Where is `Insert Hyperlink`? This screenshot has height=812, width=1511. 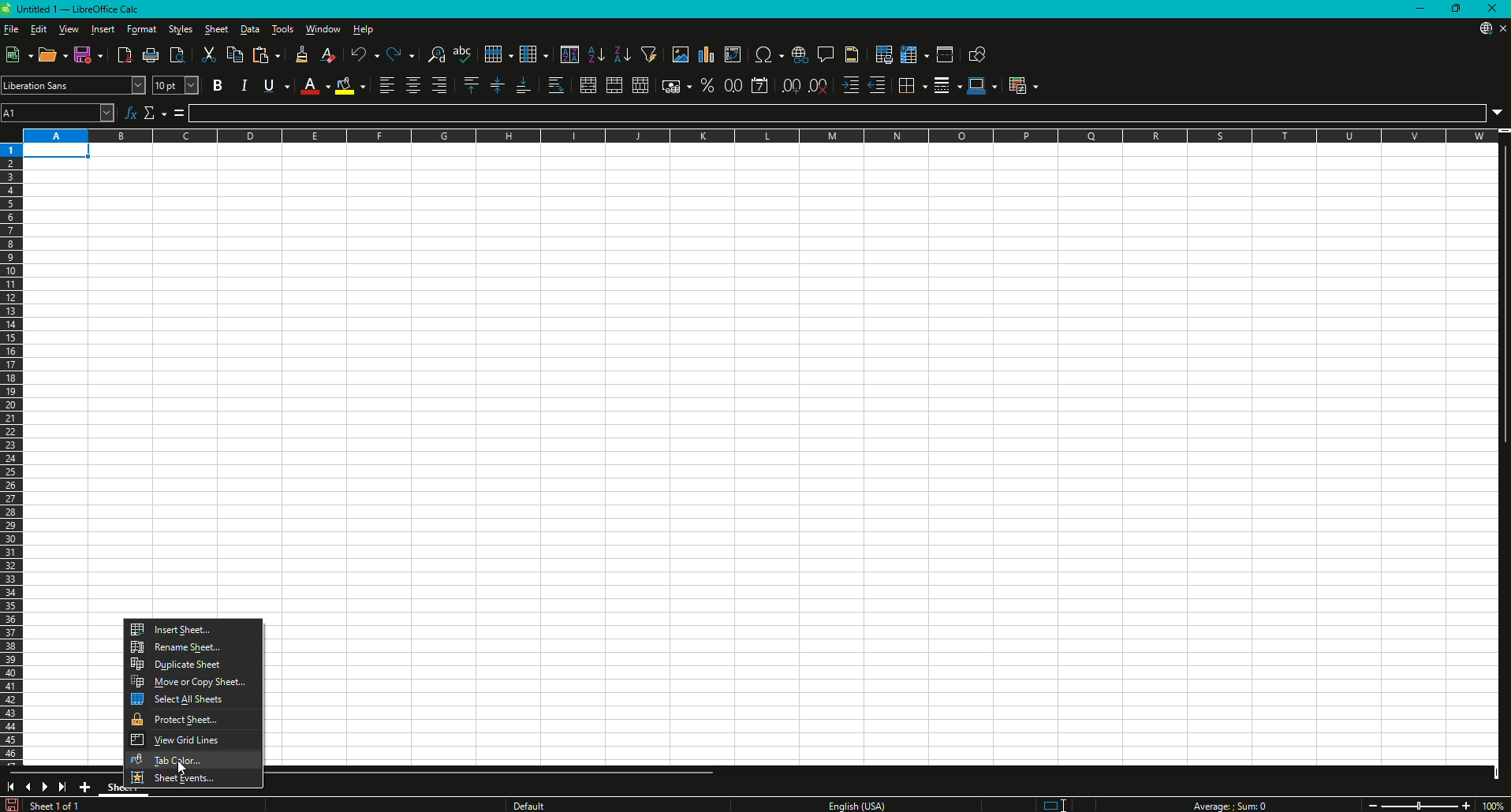
Insert Hyperlink is located at coordinates (800, 54).